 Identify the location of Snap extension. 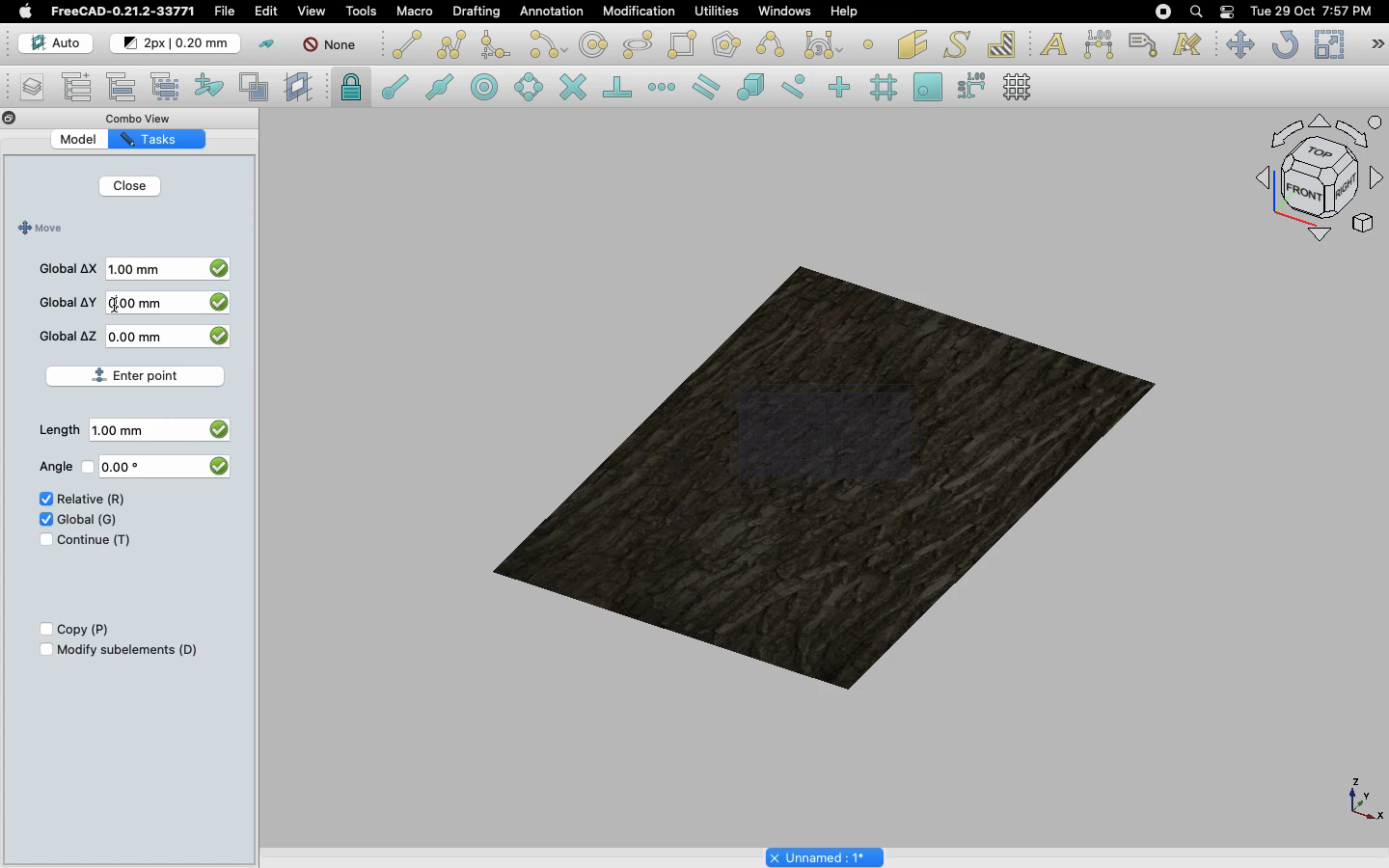
(664, 88).